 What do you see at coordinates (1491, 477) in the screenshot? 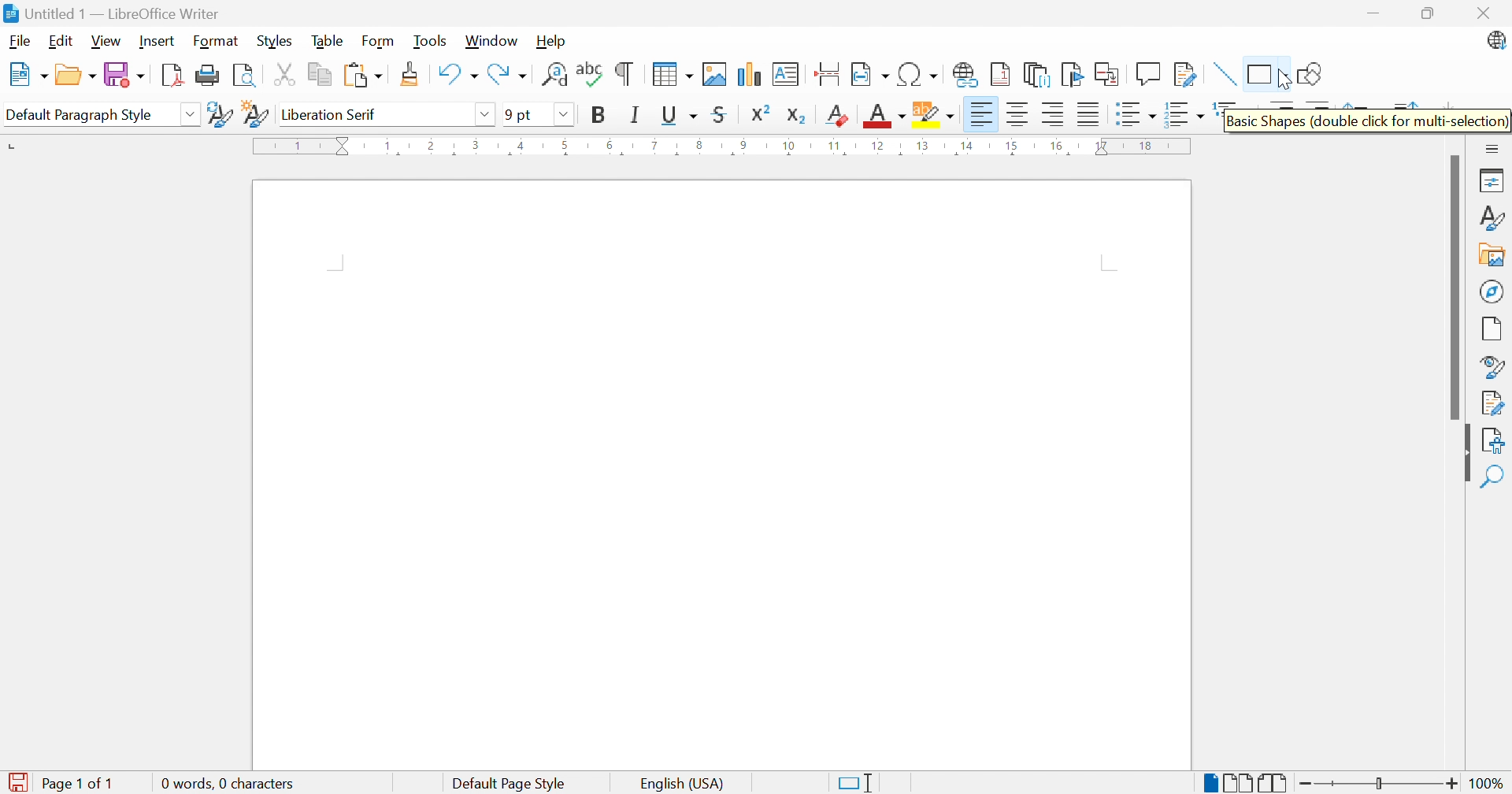
I see `Find` at bounding box center [1491, 477].